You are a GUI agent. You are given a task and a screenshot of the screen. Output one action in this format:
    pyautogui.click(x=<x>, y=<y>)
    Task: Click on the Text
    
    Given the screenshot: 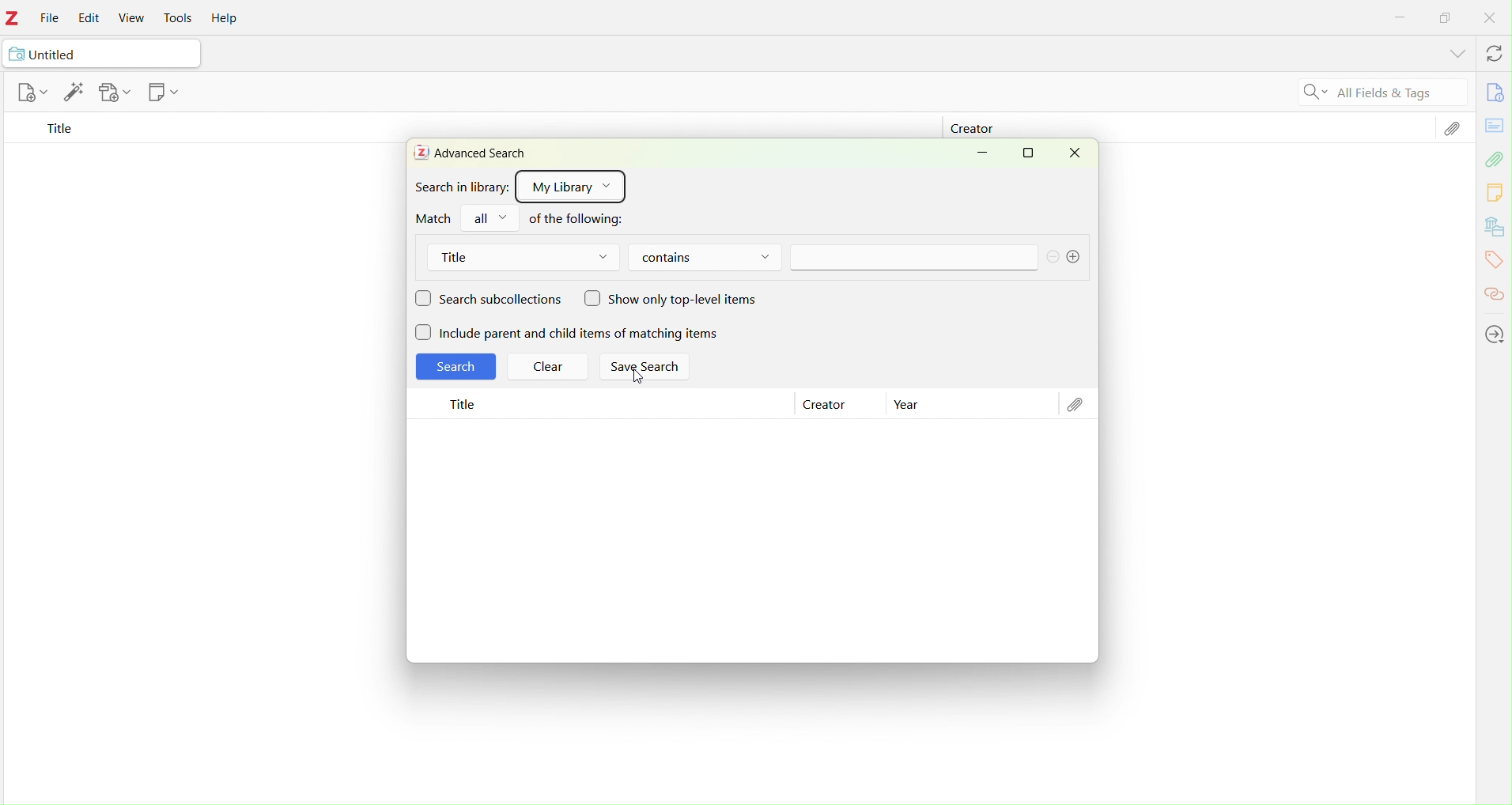 What is the action you would take?
    pyautogui.click(x=433, y=218)
    